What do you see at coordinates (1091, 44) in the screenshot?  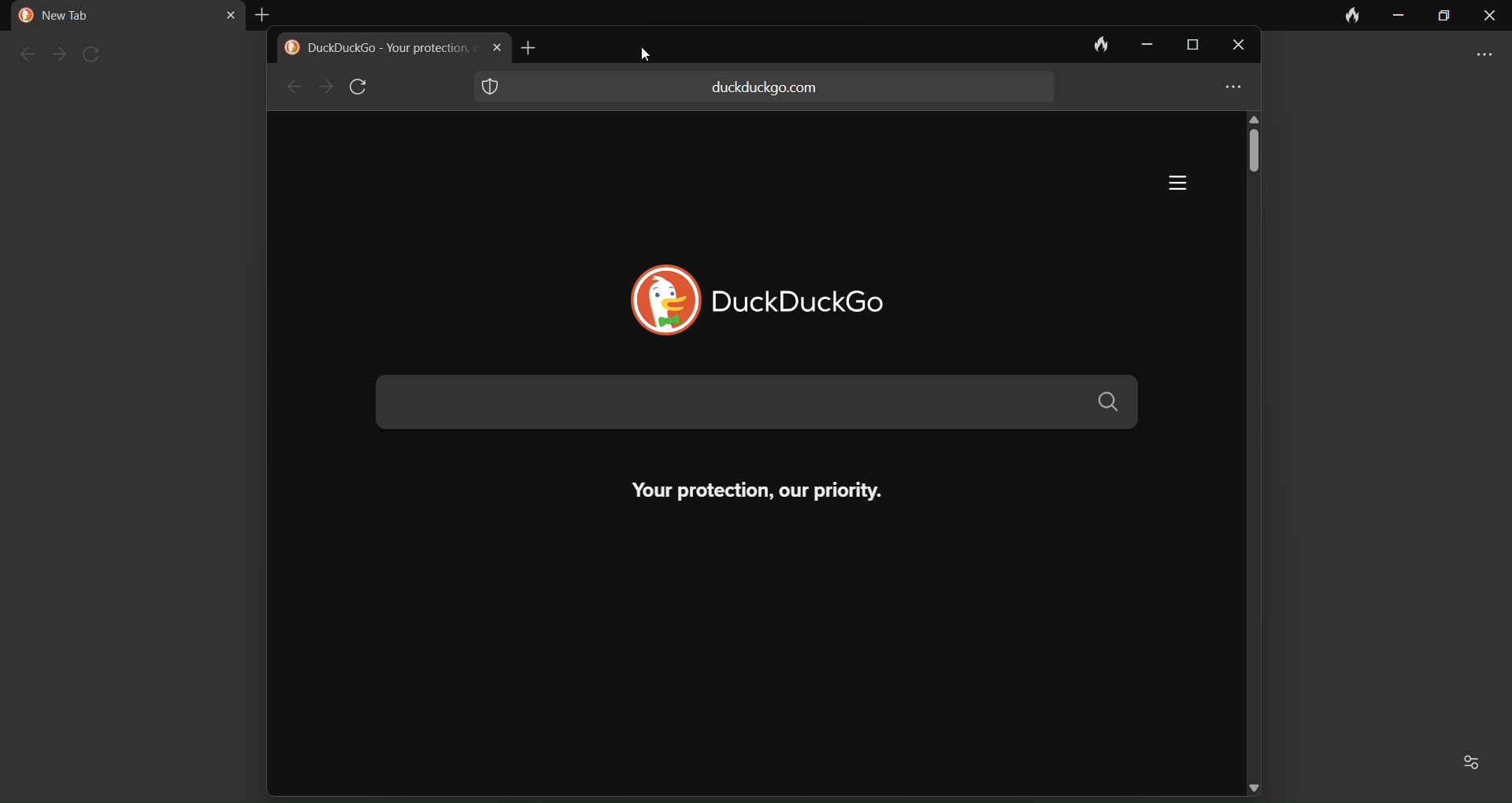 I see `clear data` at bounding box center [1091, 44].